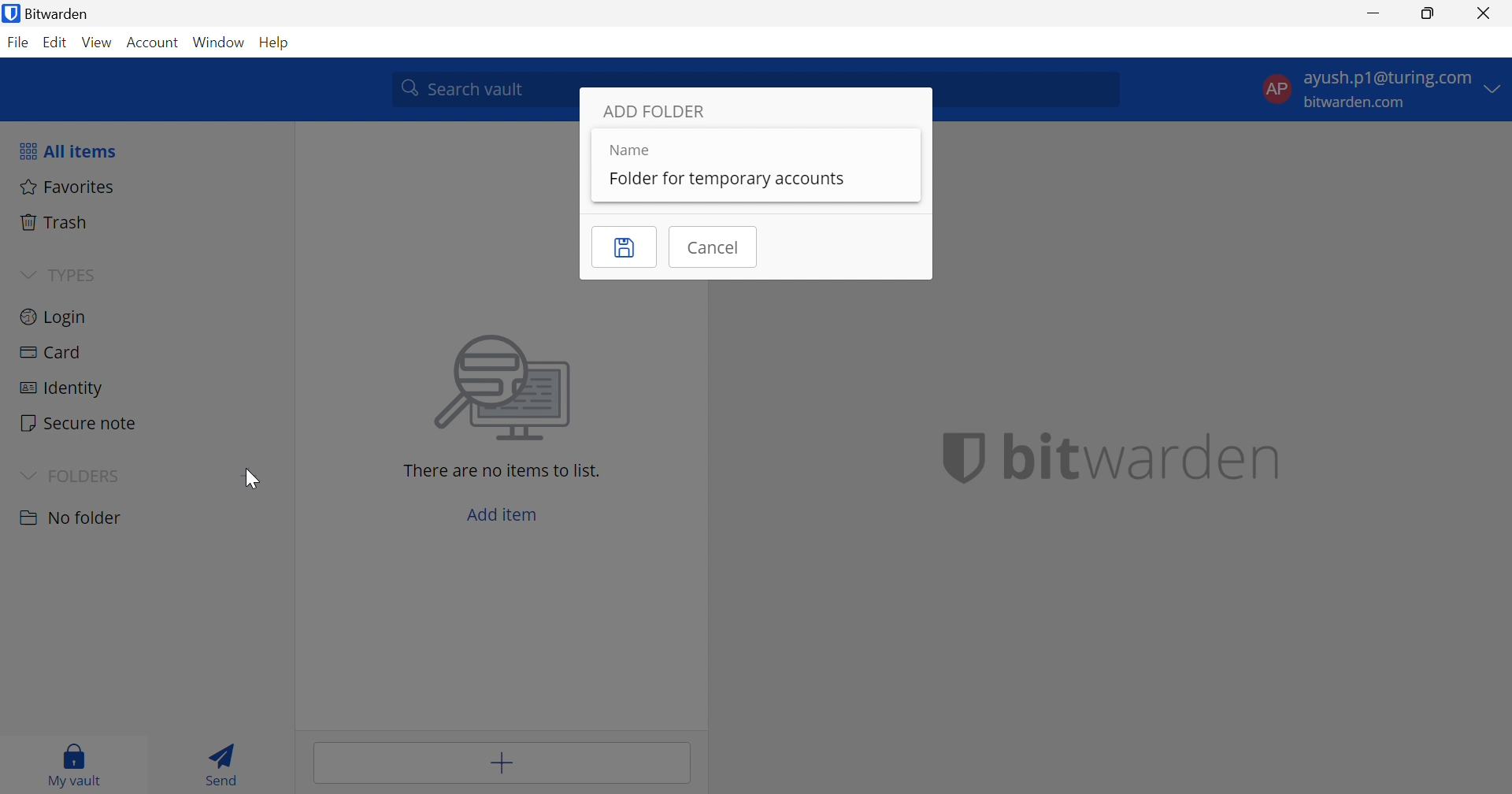 The image size is (1512, 794). Describe the element at coordinates (50, 353) in the screenshot. I see `Card` at that location.